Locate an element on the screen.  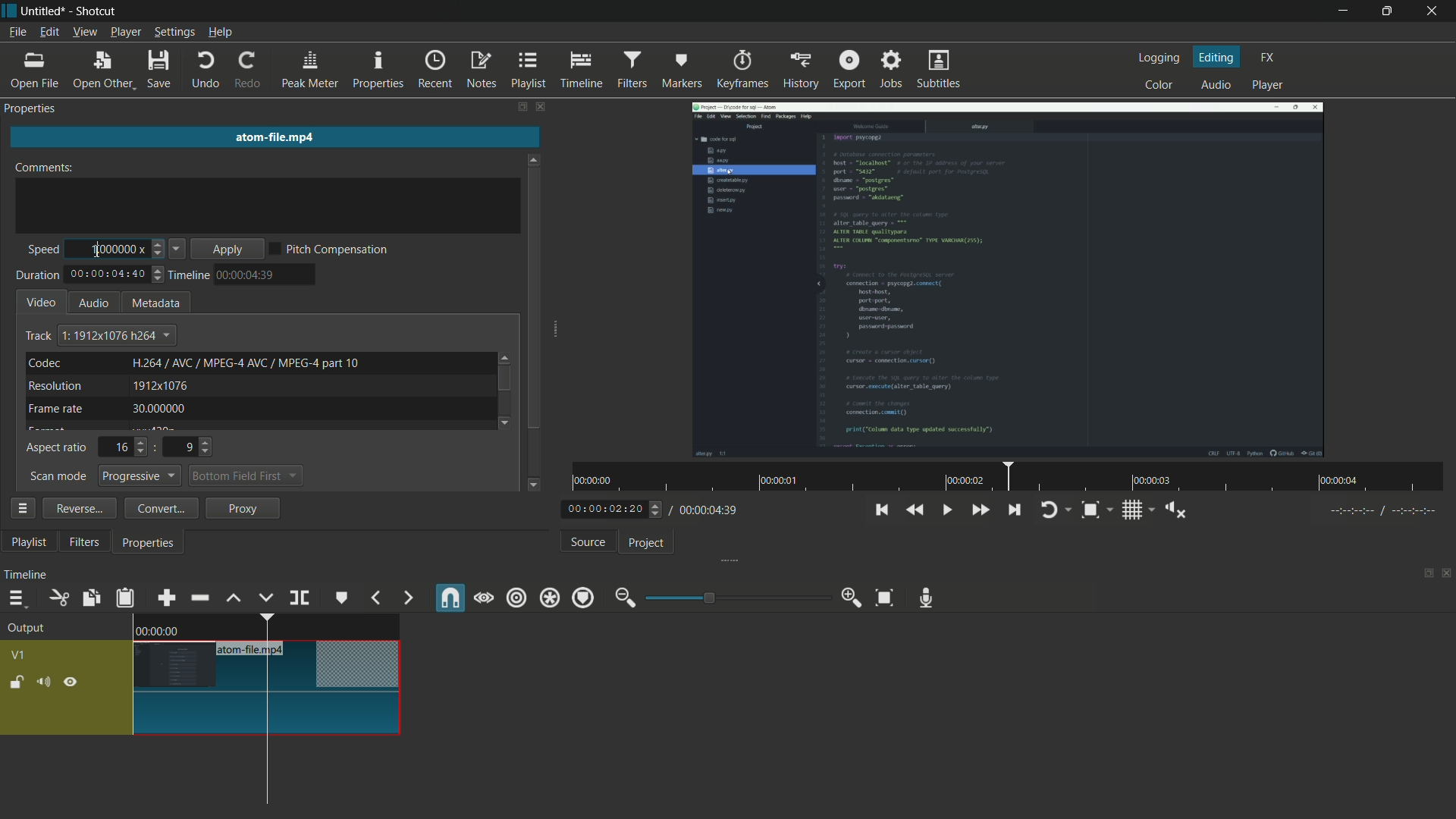
convert is located at coordinates (162, 507).